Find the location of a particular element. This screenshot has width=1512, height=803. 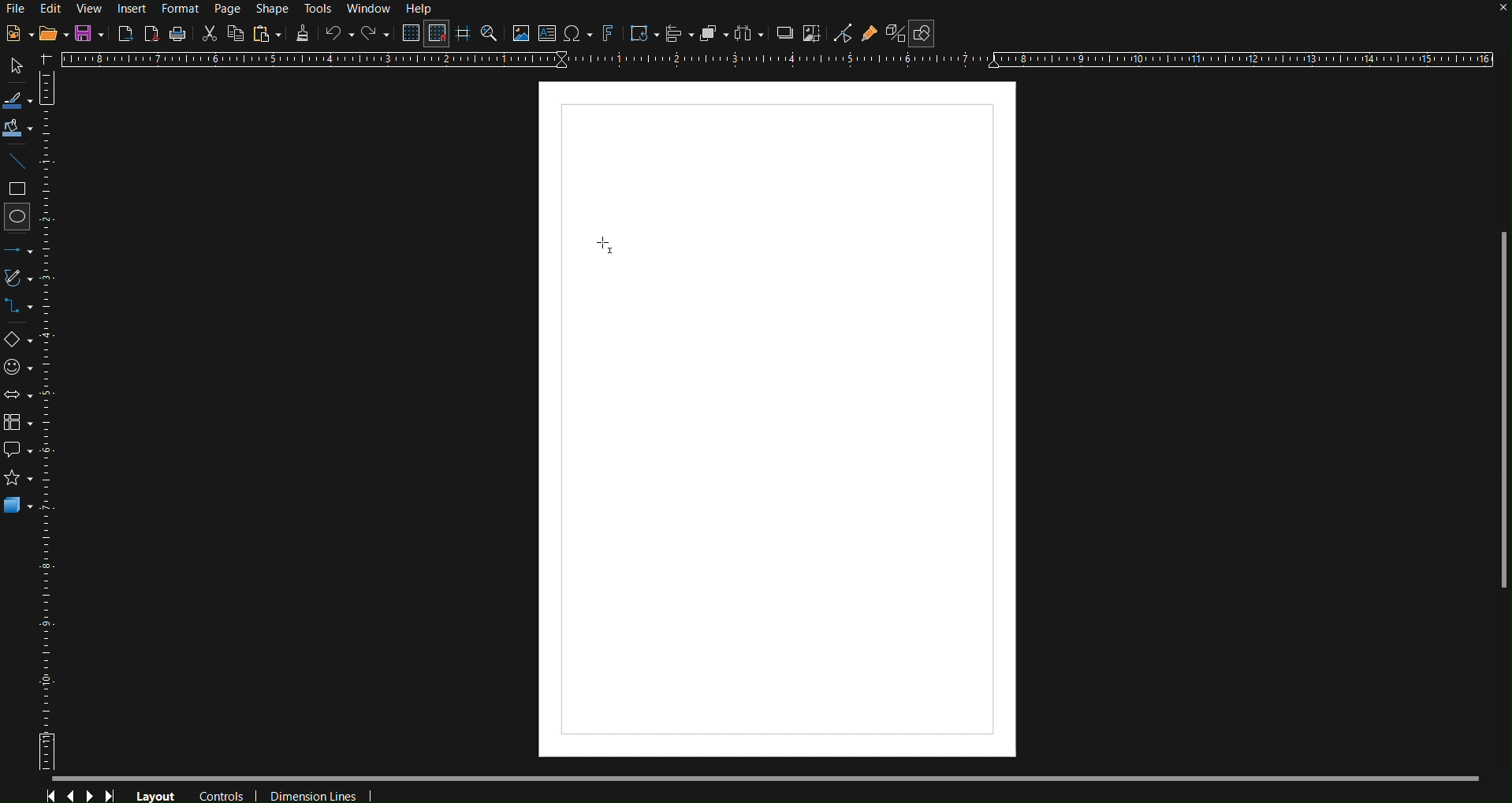

Insert special character is located at coordinates (576, 35).